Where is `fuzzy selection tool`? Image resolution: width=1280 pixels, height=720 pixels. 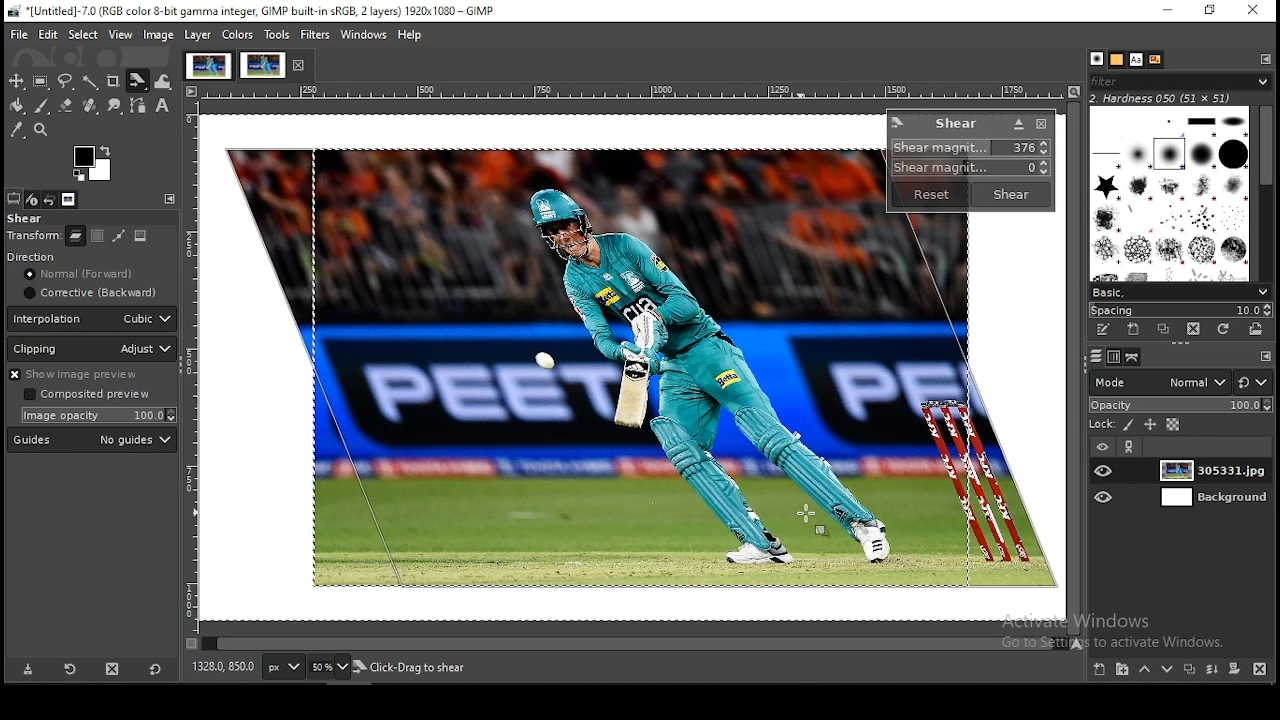 fuzzy selection tool is located at coordinates (93, 83).